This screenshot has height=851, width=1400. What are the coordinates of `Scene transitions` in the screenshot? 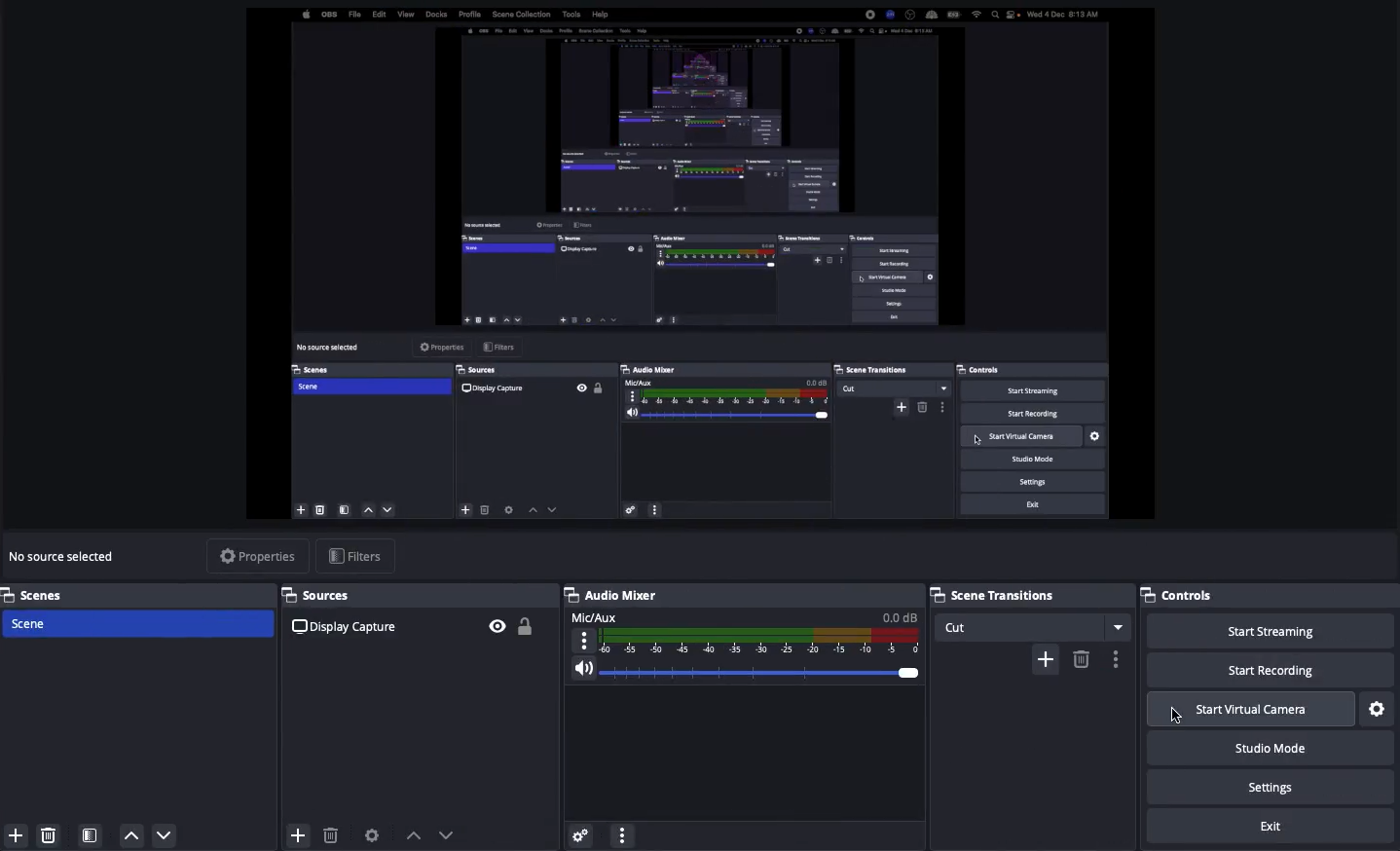 It's located at (1031, 593).